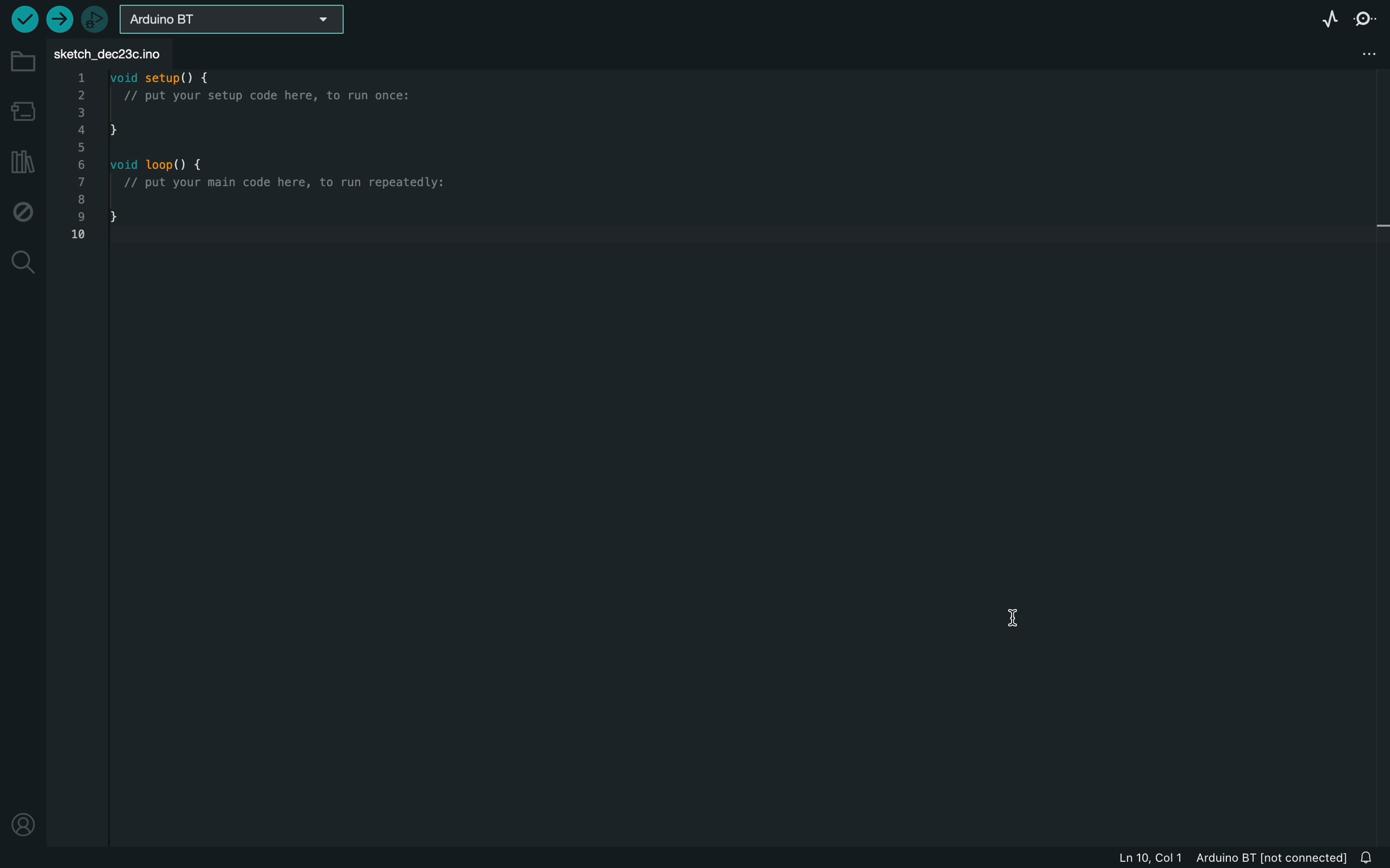 Image resolution: width=1390 pixels, height=868 pixels. I want to click on search, so click(22, 262).